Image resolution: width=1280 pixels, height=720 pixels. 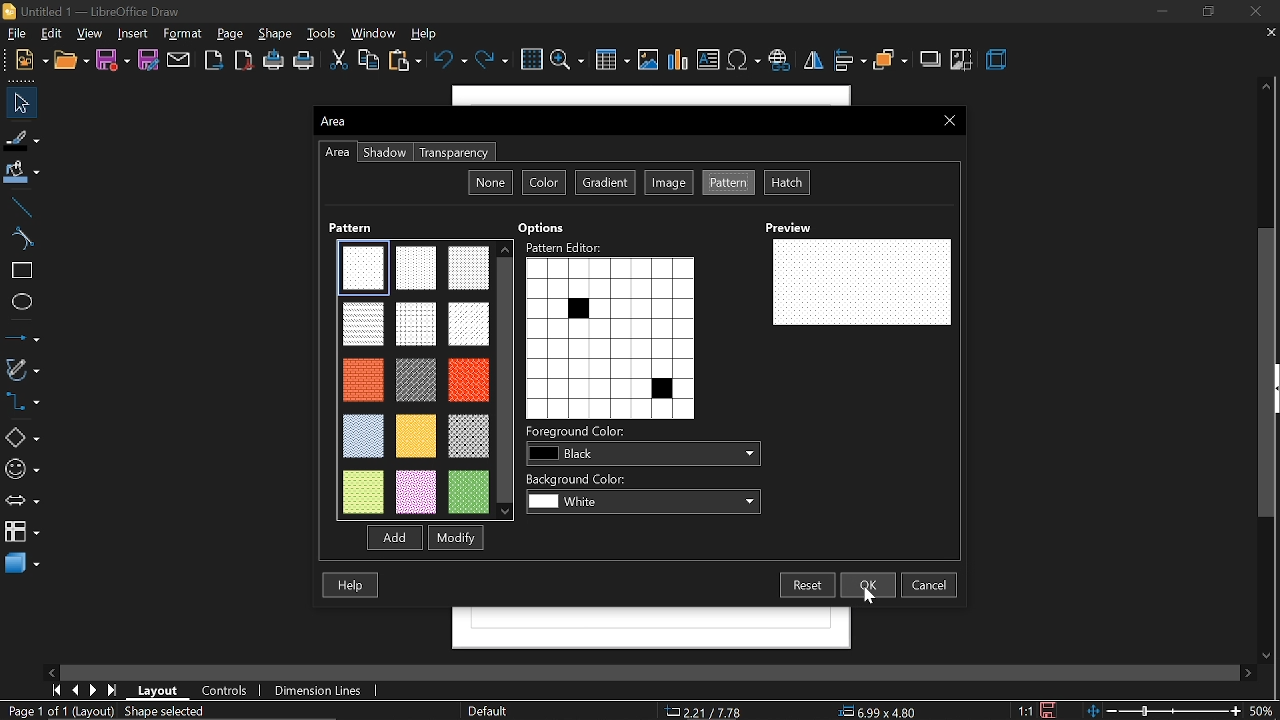 I want to click on current zoom, so click(x=1266, y=711).